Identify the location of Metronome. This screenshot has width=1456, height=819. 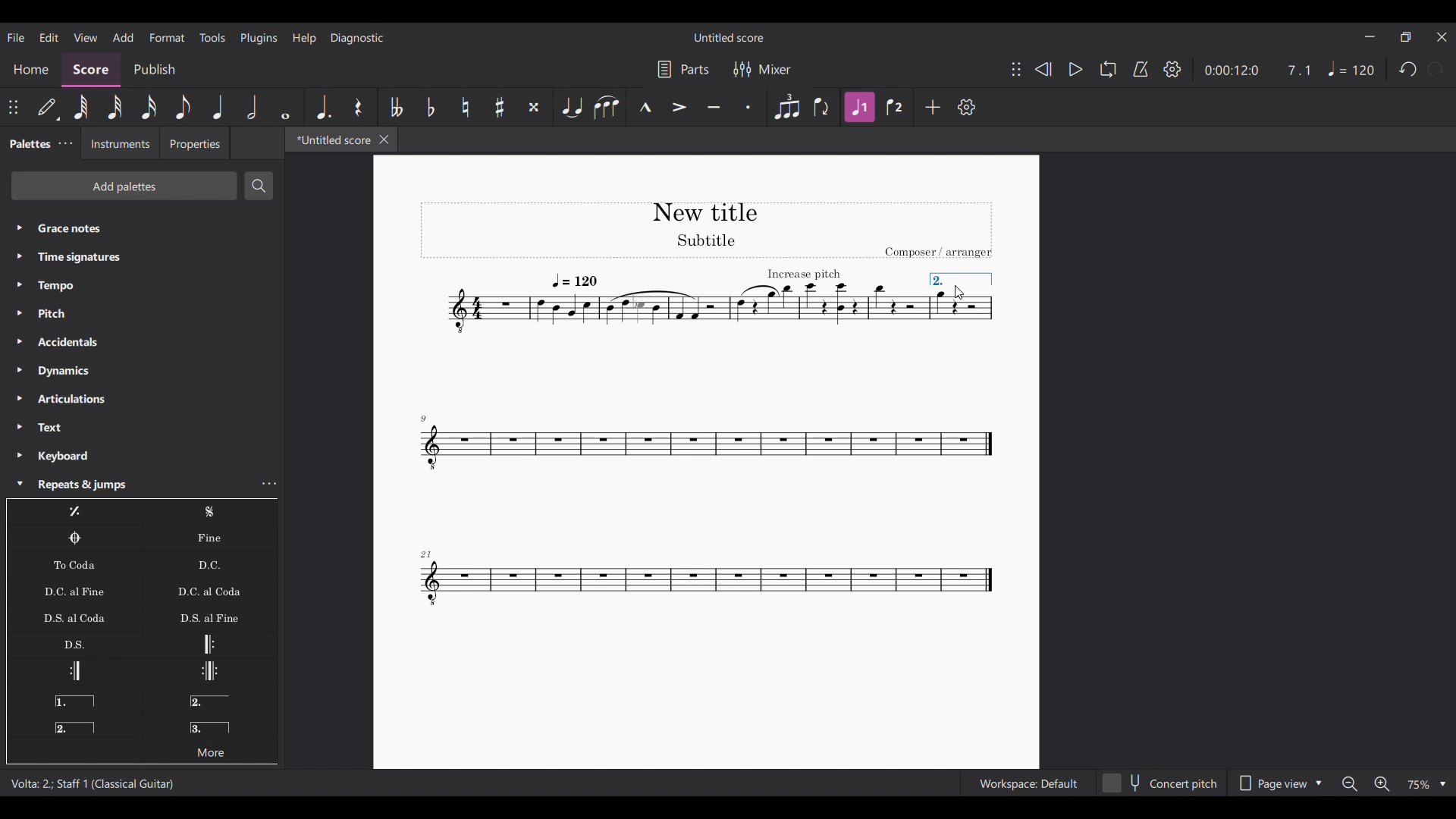
(1141, 69).